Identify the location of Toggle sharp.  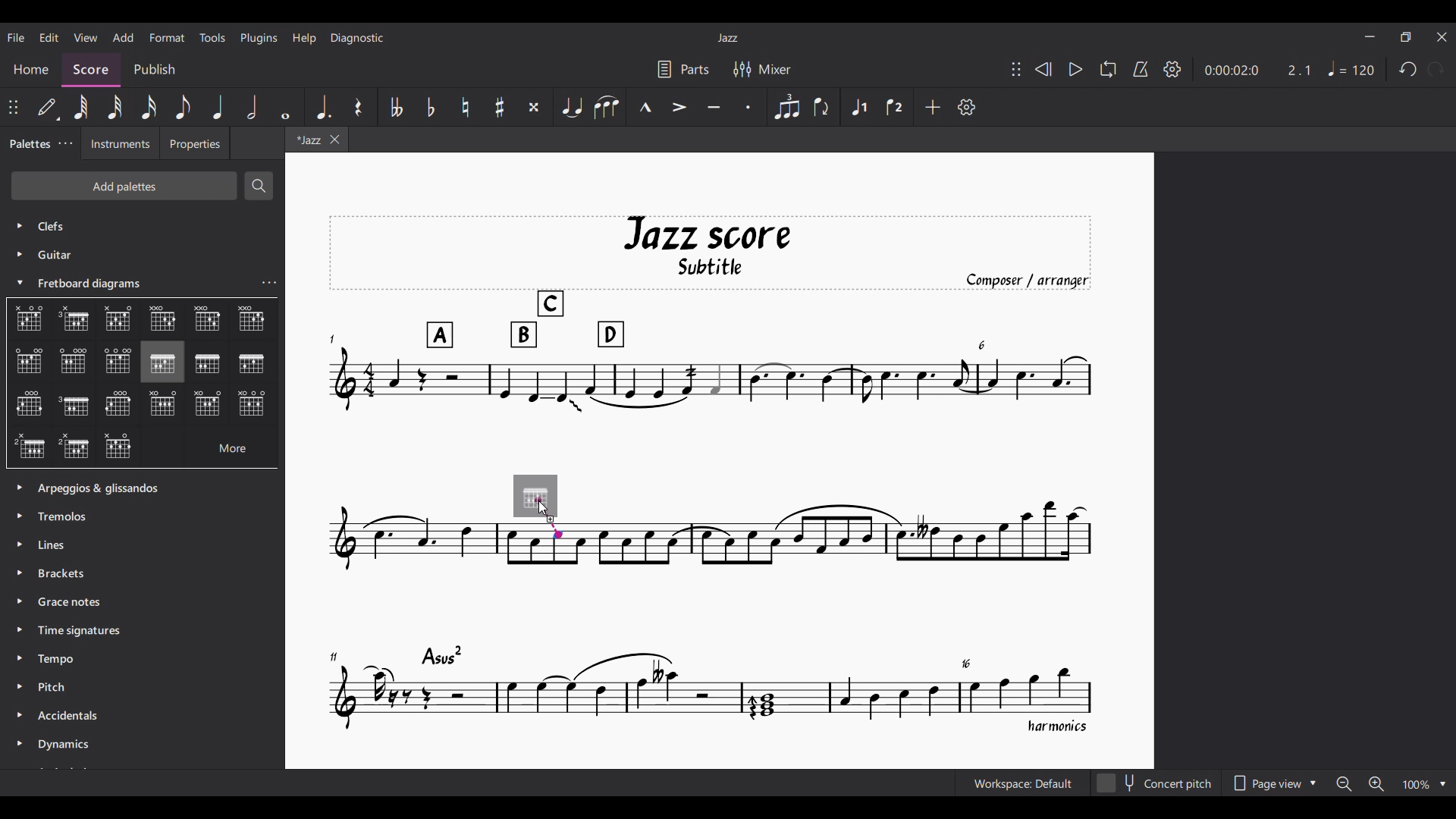
(500, 107).